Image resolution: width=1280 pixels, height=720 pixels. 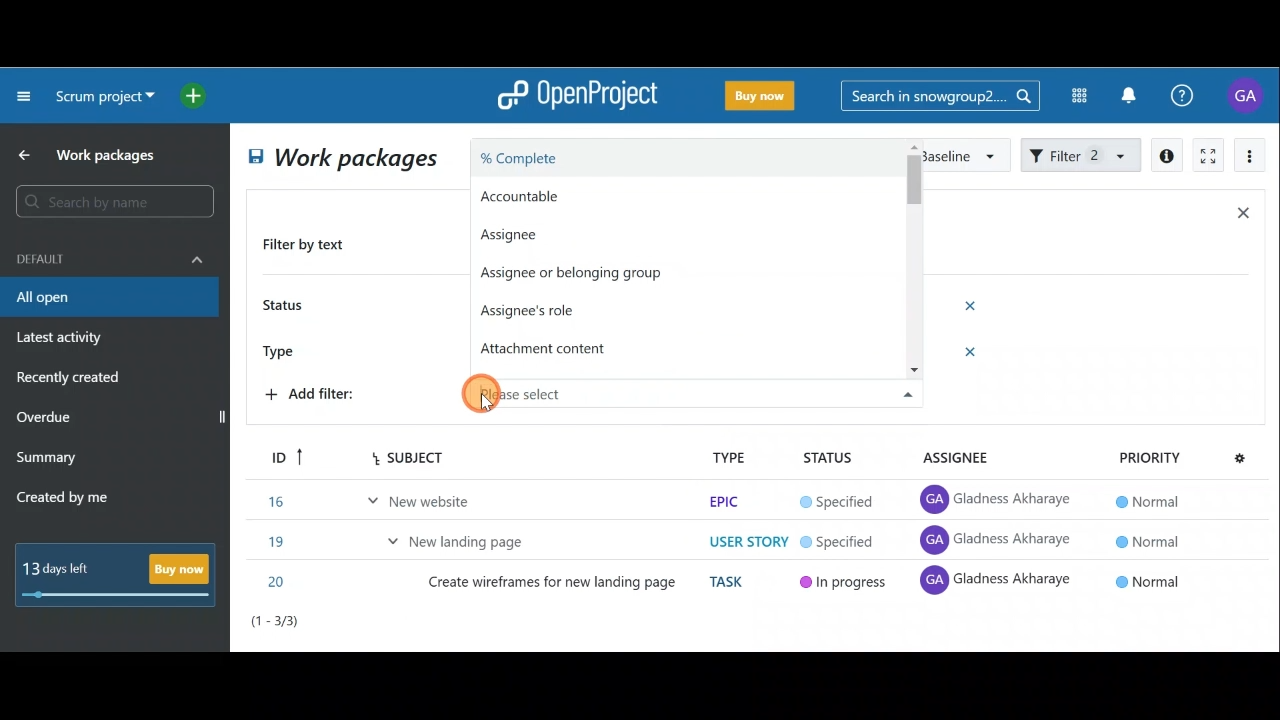 I want to click on Create wireframes for new landing page, so click(x=554, y=586).